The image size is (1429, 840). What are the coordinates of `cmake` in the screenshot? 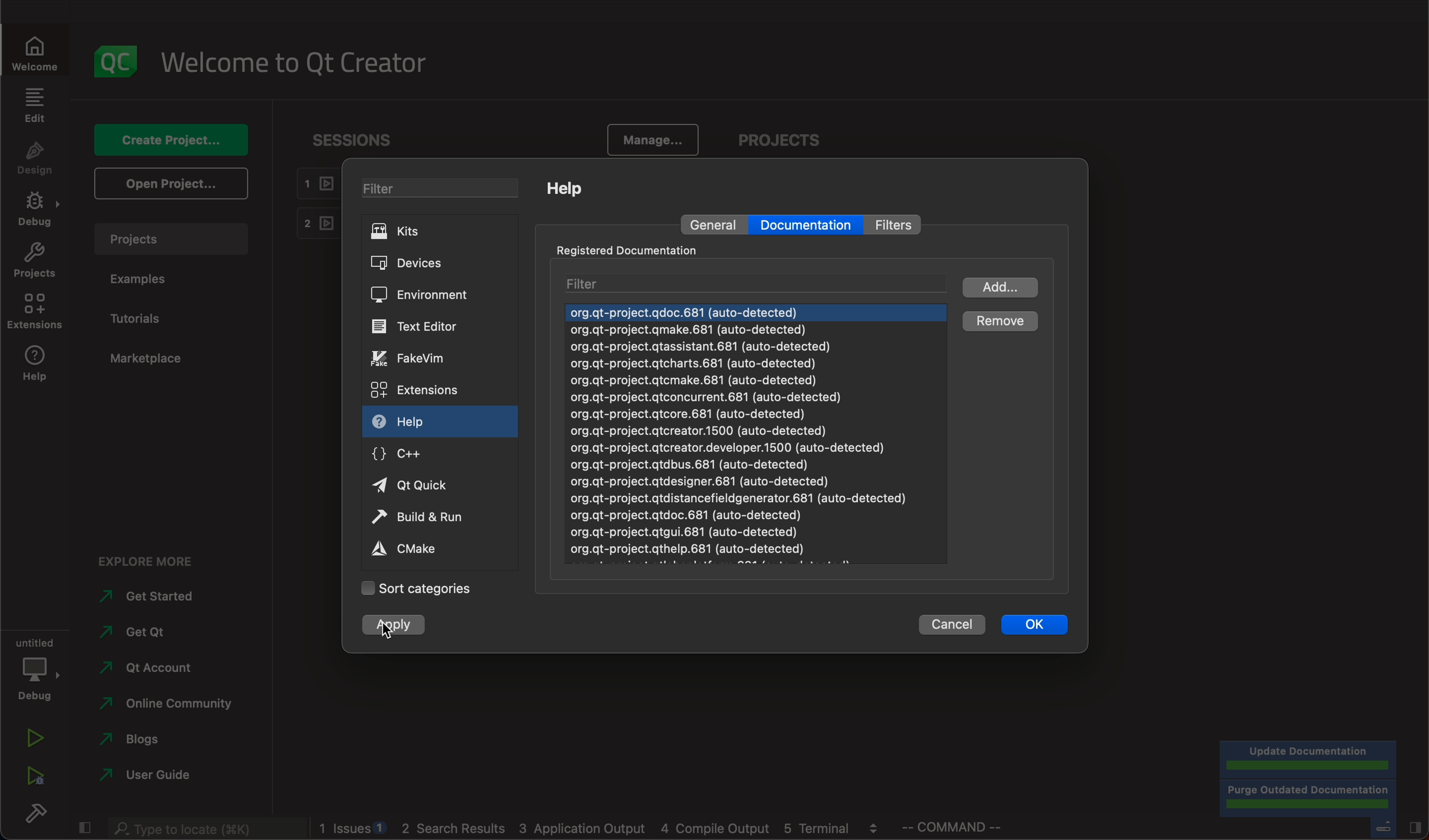 It's located at (418, 549).